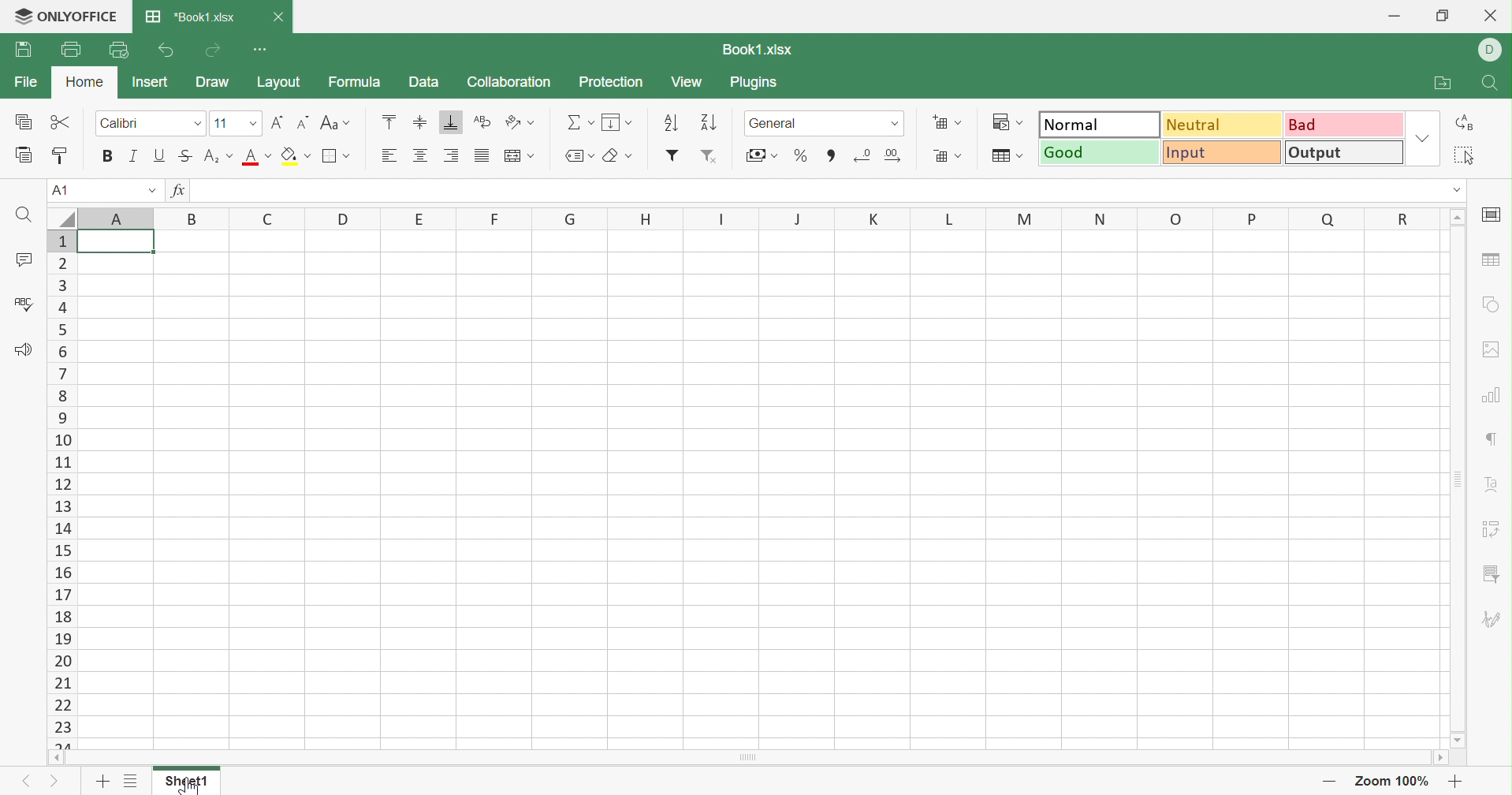 This screenshot has height=795, width=1512. What do you see at coordinates (1493, 82) in the screenshot?
I see `Search` at bounding box center [1493, 82].